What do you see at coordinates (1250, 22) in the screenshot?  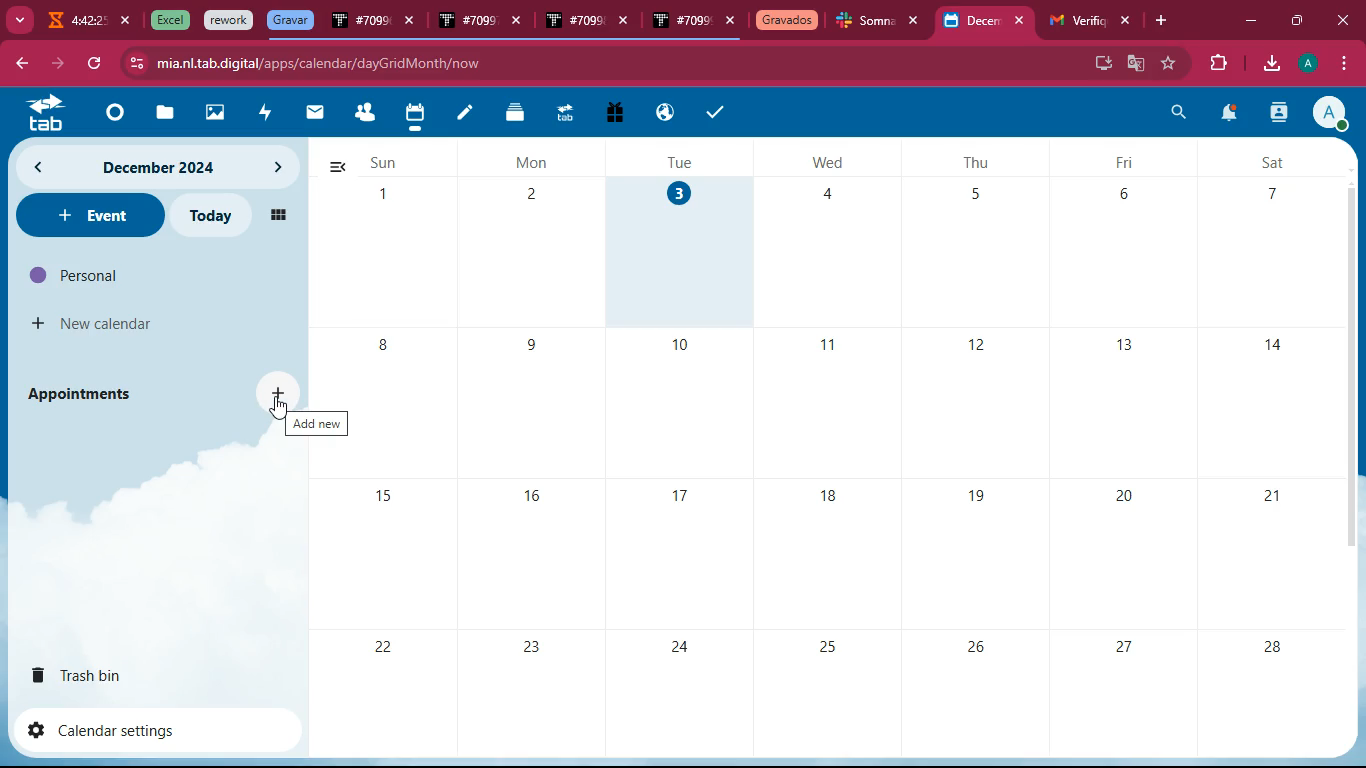 I see `minimize` at bounding box center [1250, 22].